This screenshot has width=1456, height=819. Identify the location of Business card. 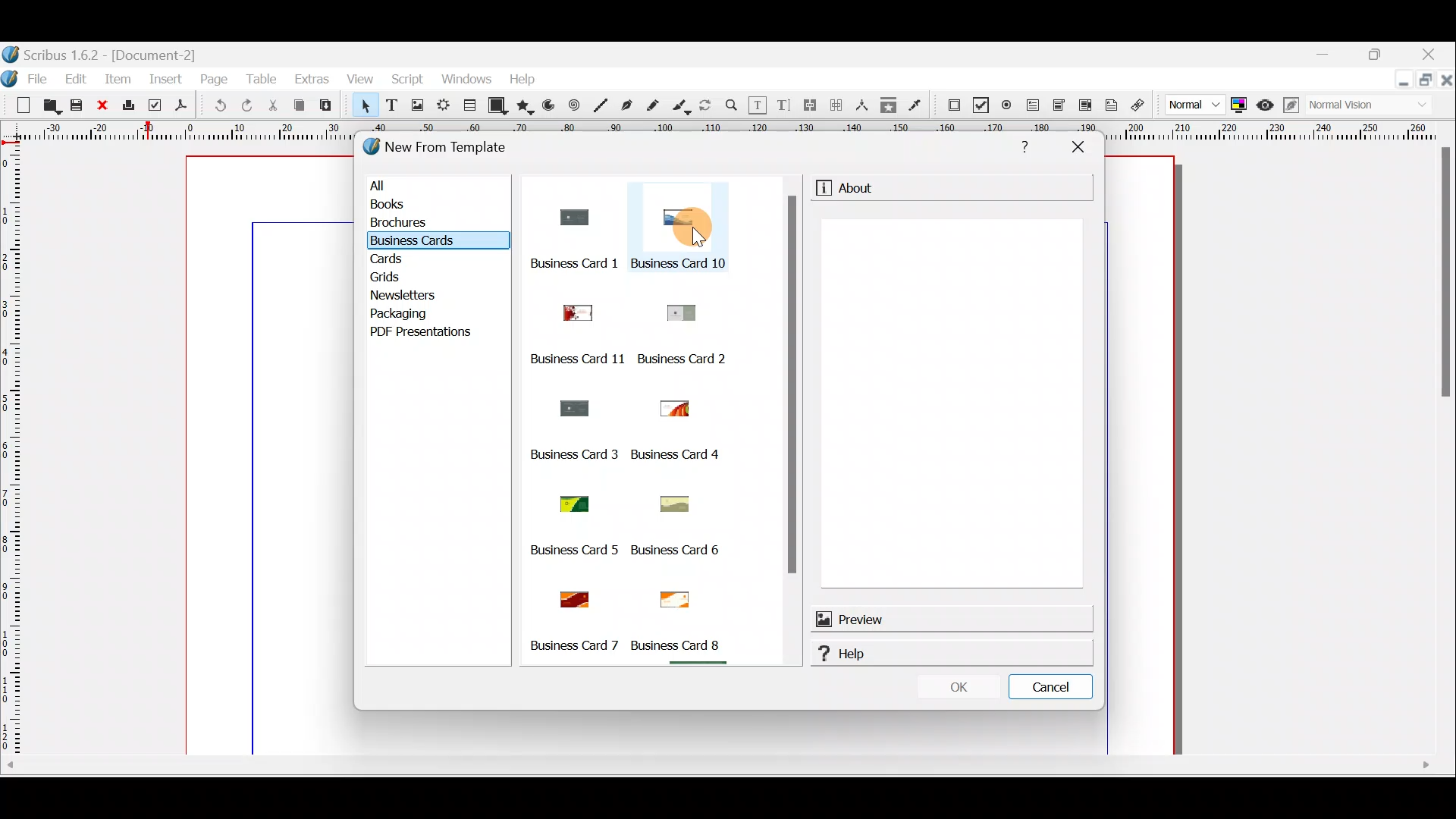
(674, 596).